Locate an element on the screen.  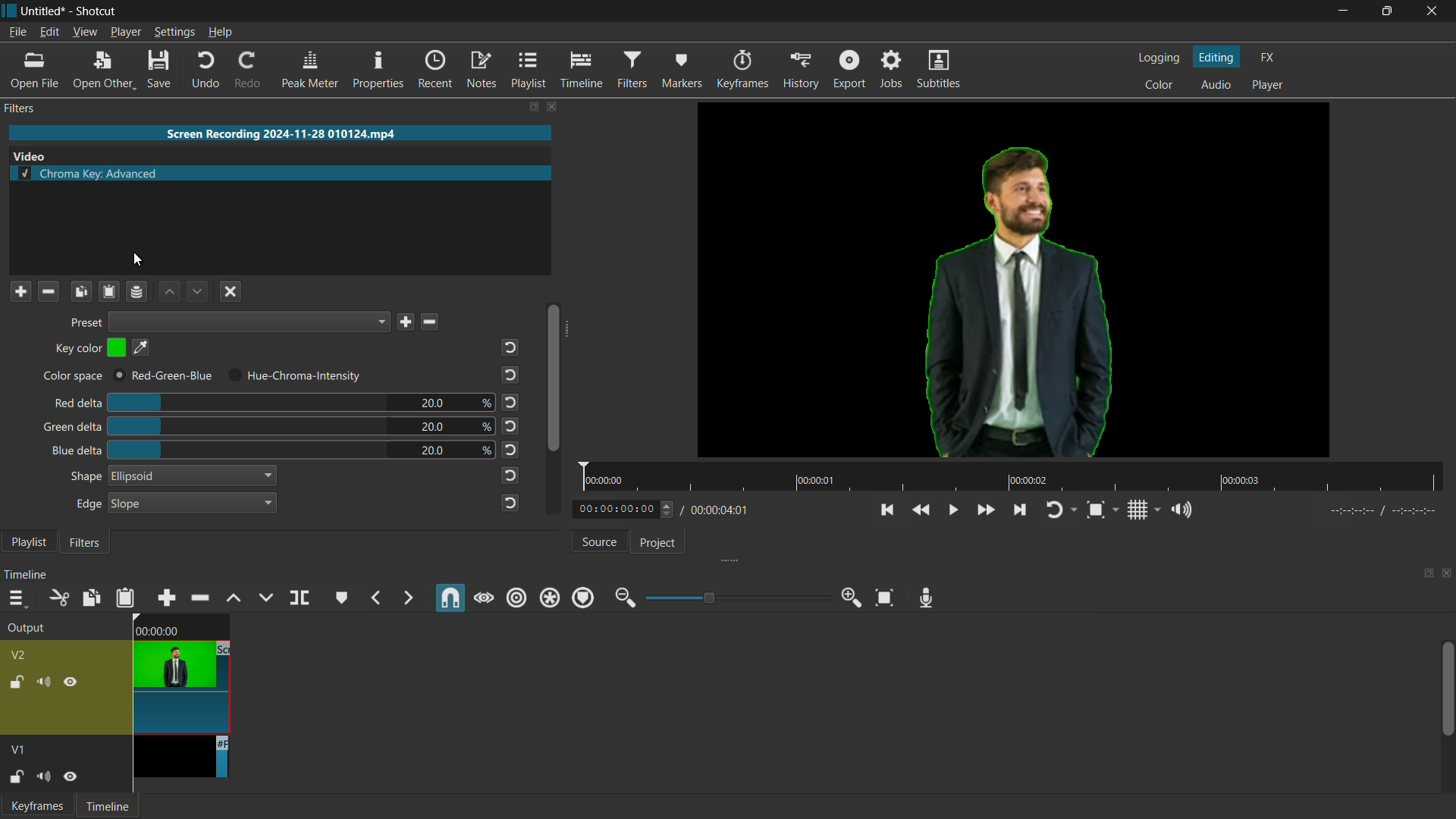
peak meter is located at coordinates (309, 69).